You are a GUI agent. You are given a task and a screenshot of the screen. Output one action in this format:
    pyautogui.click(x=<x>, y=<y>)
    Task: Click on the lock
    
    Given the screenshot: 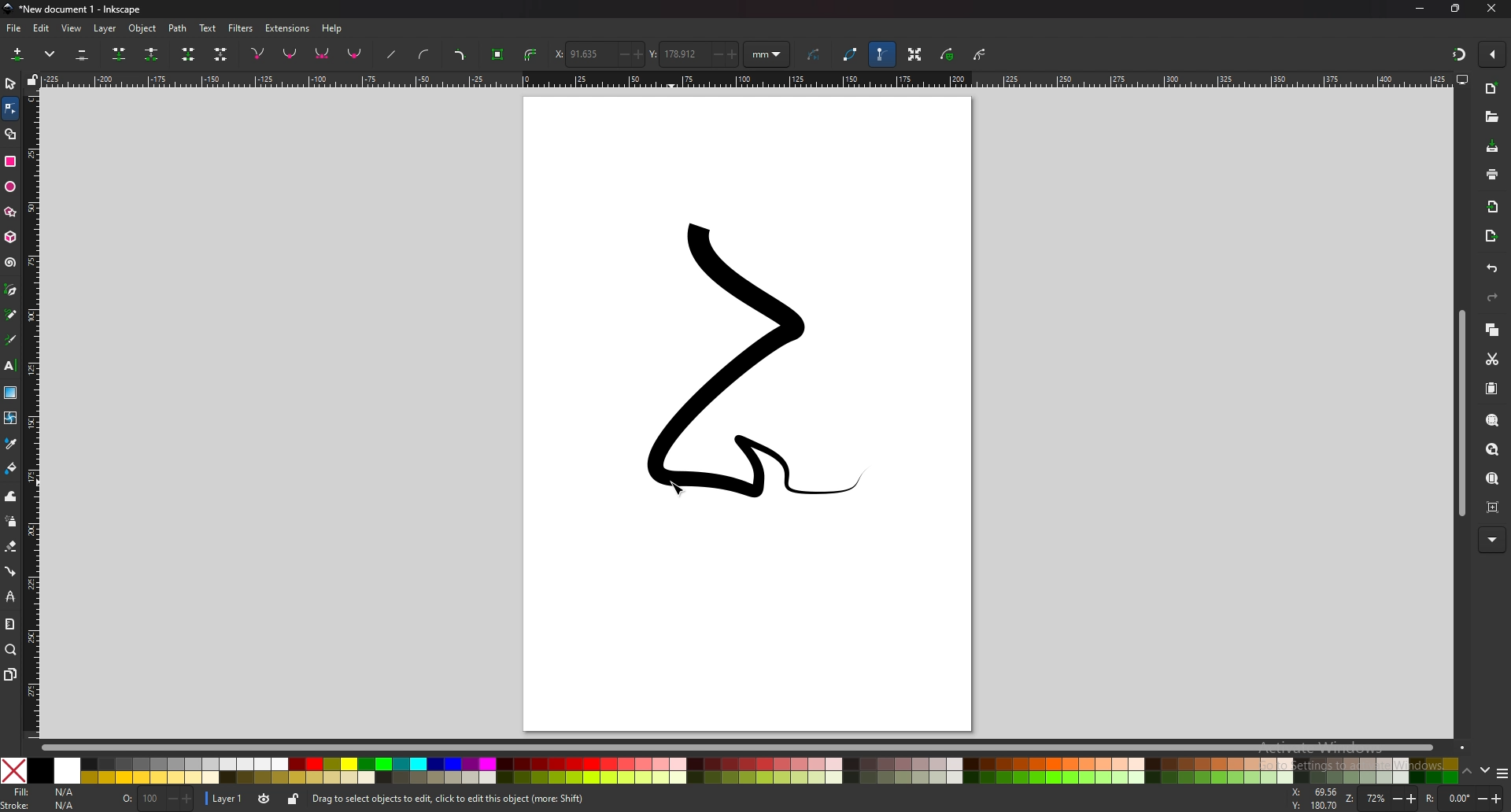 What is the action you would take?
    pyautogui.click(x=292, y=801)
    